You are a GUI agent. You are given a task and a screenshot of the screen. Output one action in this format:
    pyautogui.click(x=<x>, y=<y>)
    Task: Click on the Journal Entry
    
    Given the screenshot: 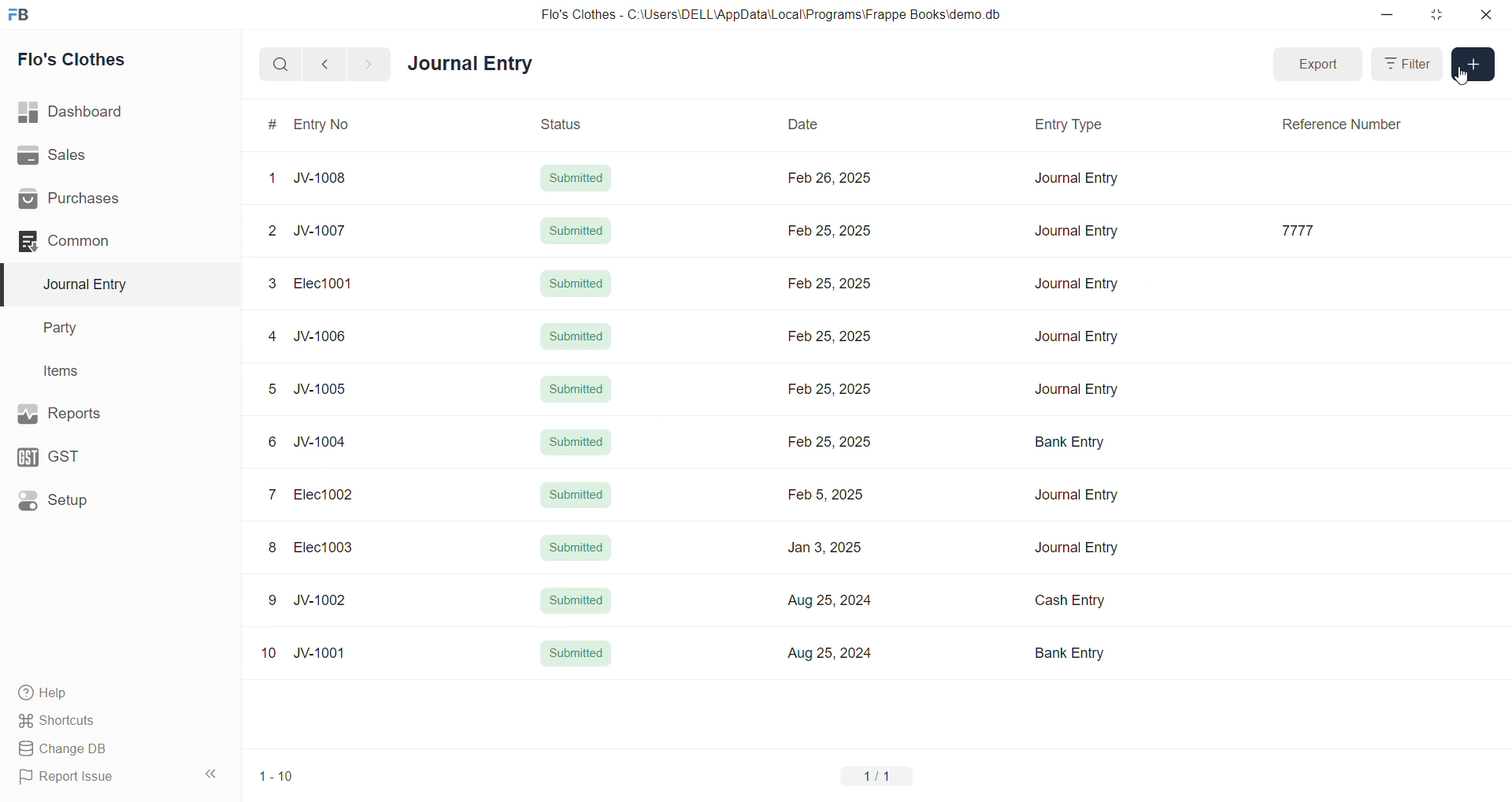 What is the action you would take?
    pyautogui.click(x=471, y=64)
    